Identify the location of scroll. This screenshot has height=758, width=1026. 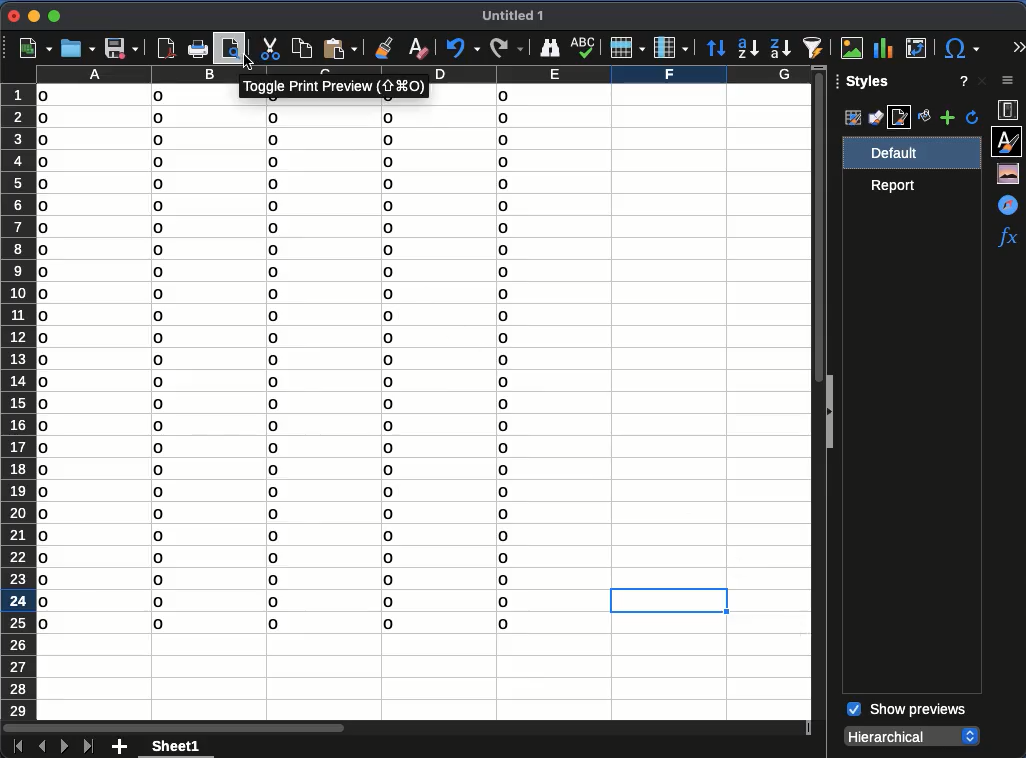
(1020, 497).